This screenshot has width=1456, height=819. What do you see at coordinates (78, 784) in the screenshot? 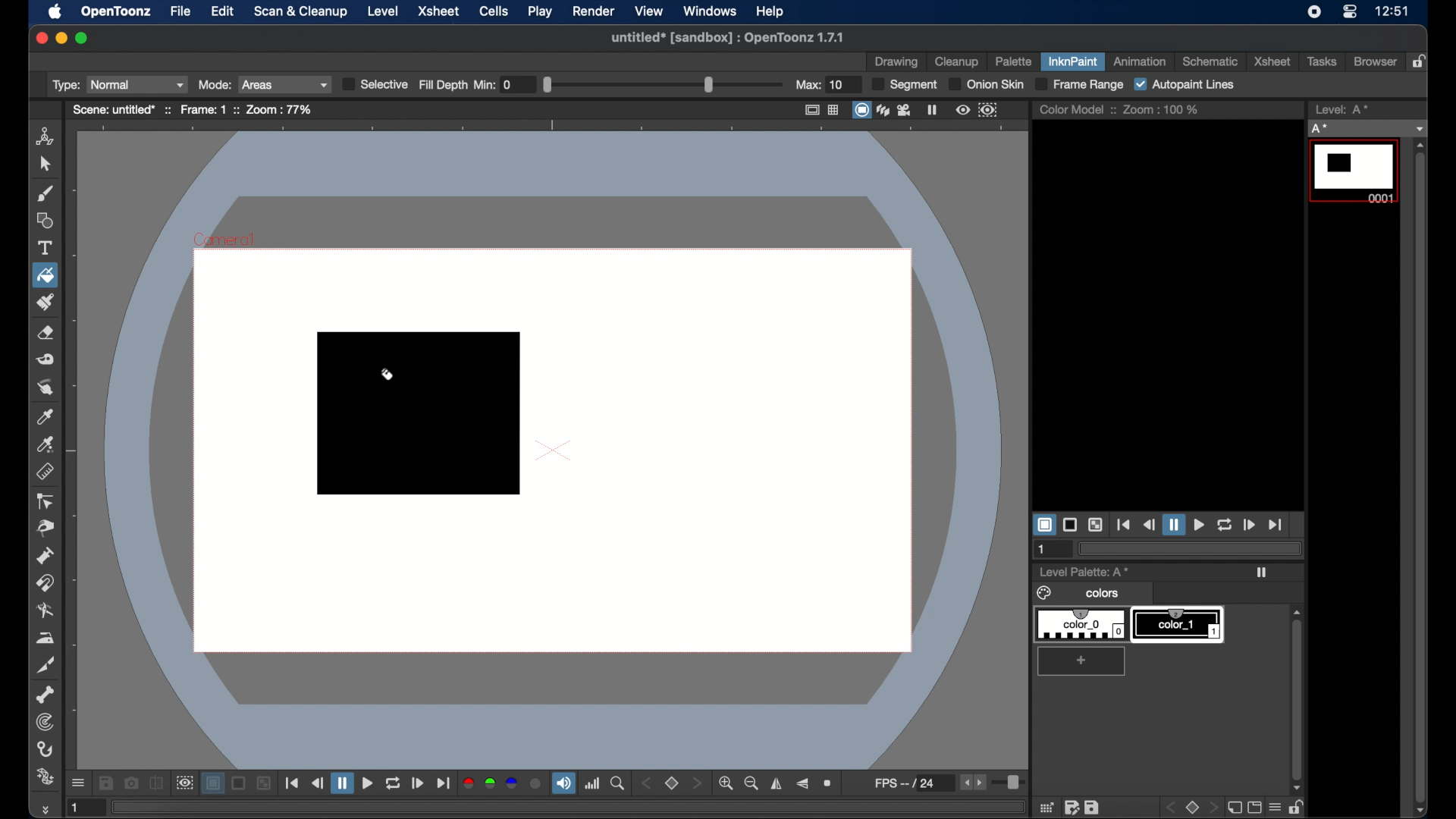
I see `more options` at bounding box center [78, 784].